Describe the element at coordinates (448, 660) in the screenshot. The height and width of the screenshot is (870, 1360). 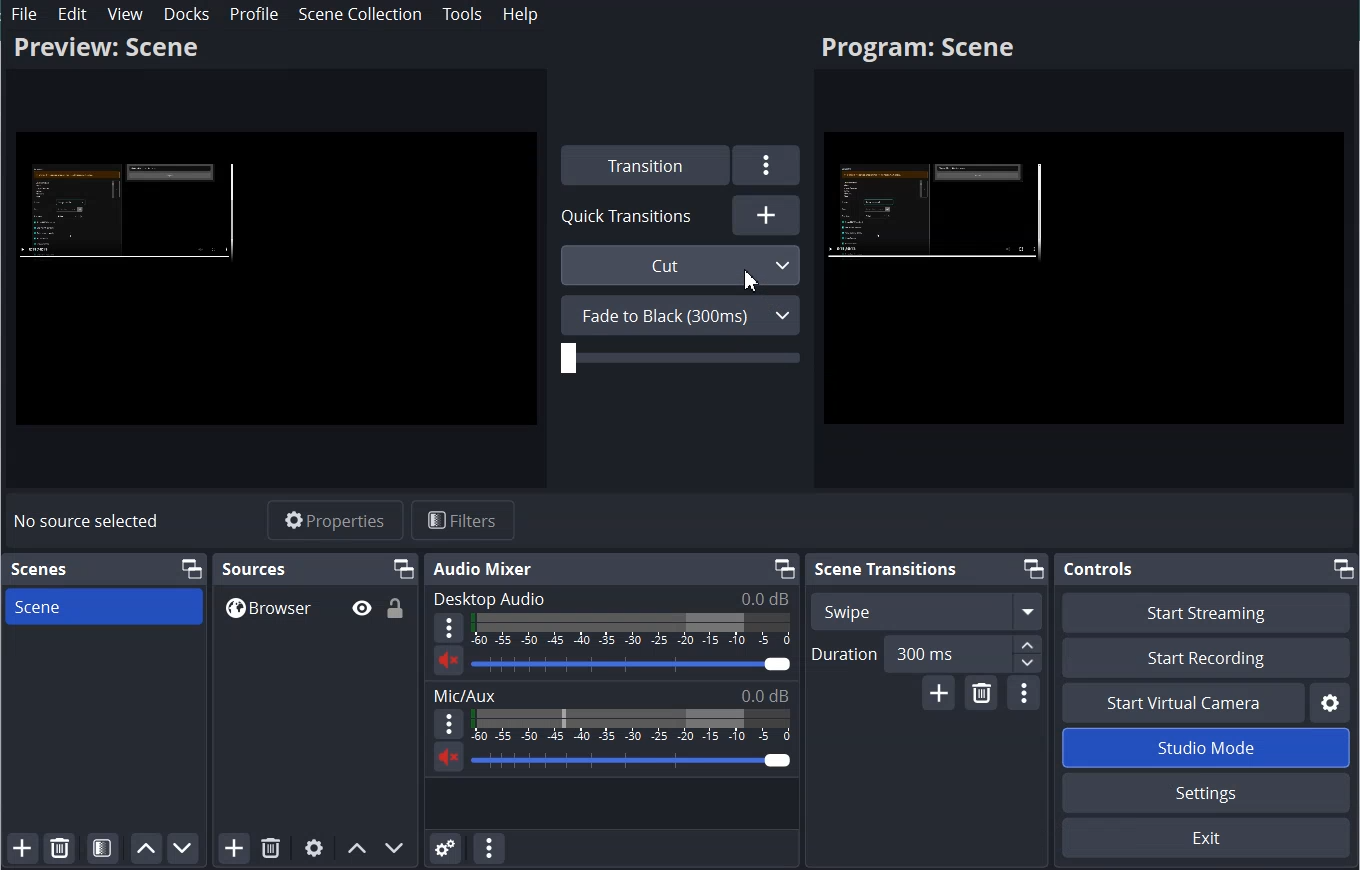
I see `Sound` at that location.